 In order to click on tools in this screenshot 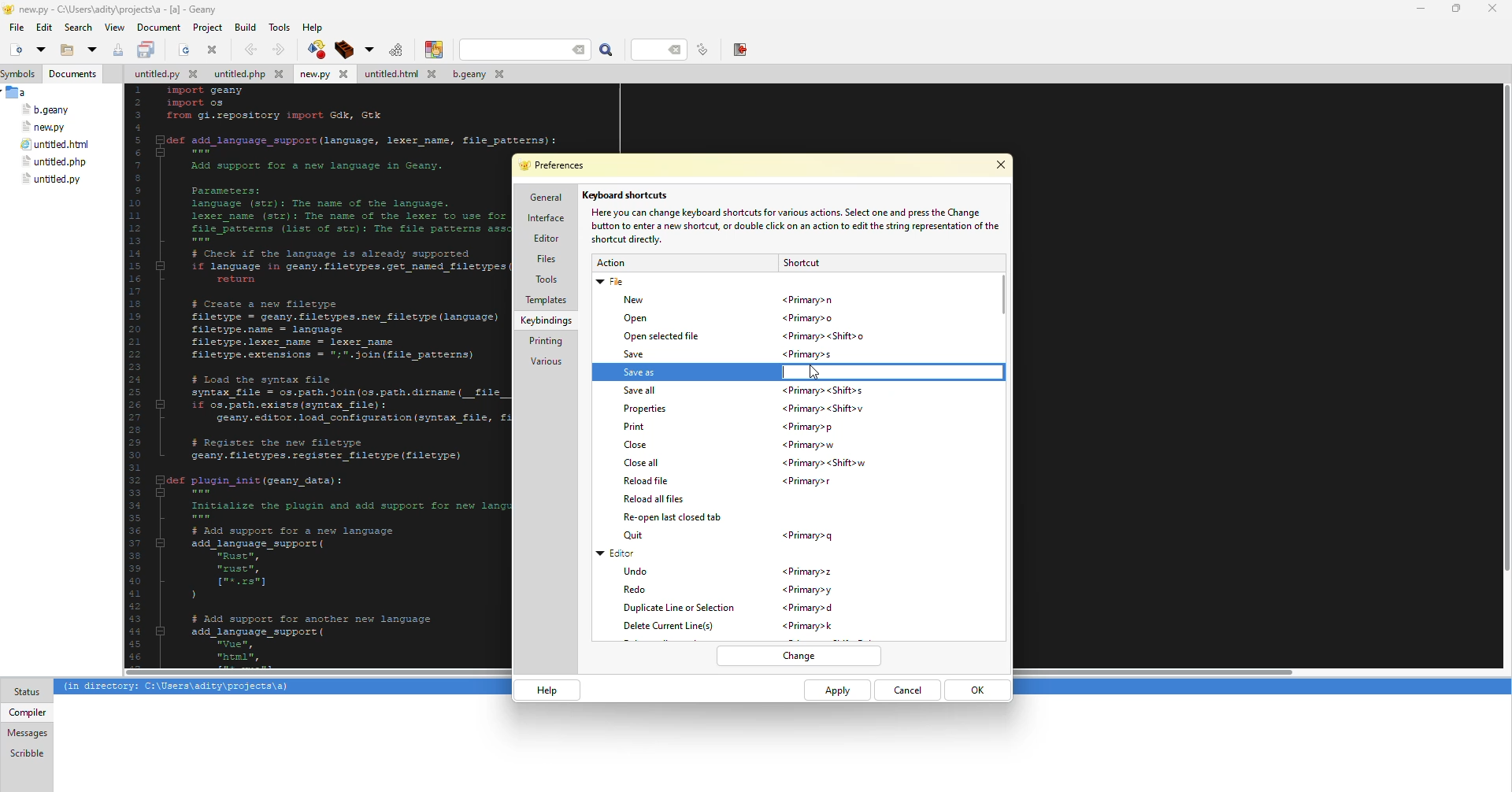, I will do `click(546, 279)`.